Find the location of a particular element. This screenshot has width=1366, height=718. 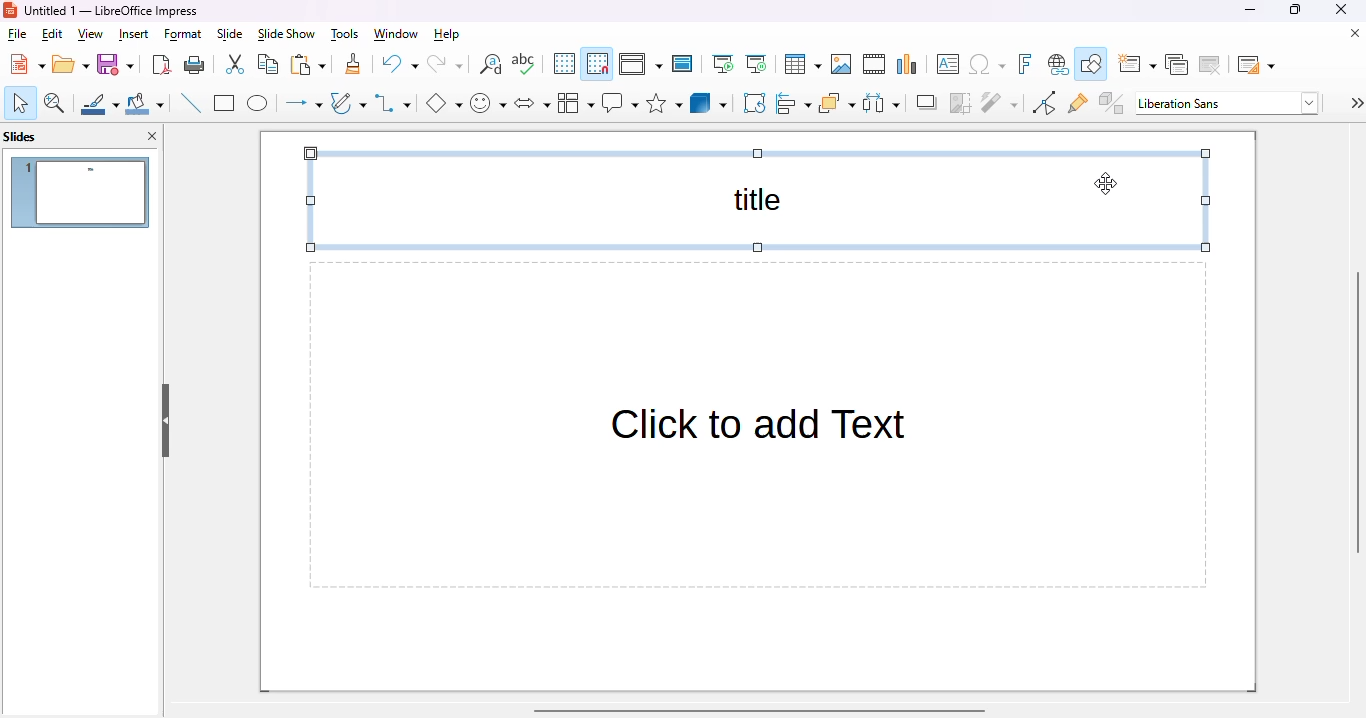

clone formatting is located at coordinates (353, 64).